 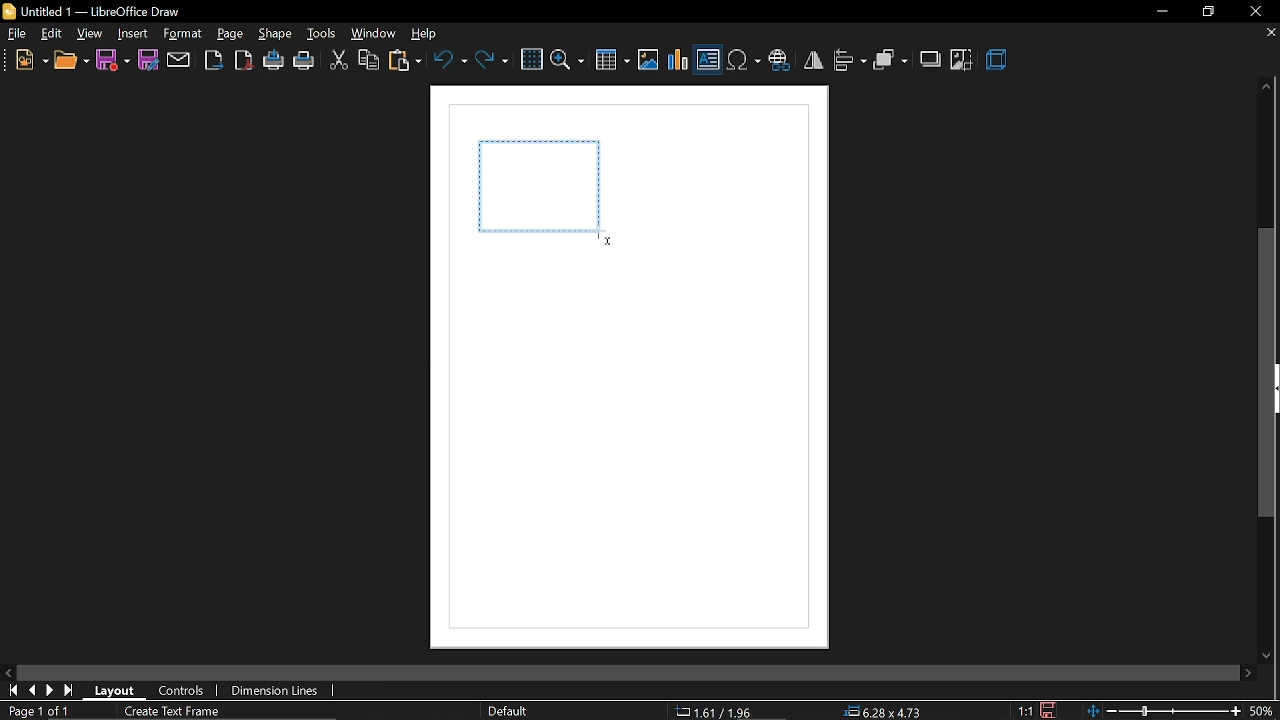 What do you see at coordinates (613, 62) in the screenshot?
I see `insert table` at bounding box center [613, 62].